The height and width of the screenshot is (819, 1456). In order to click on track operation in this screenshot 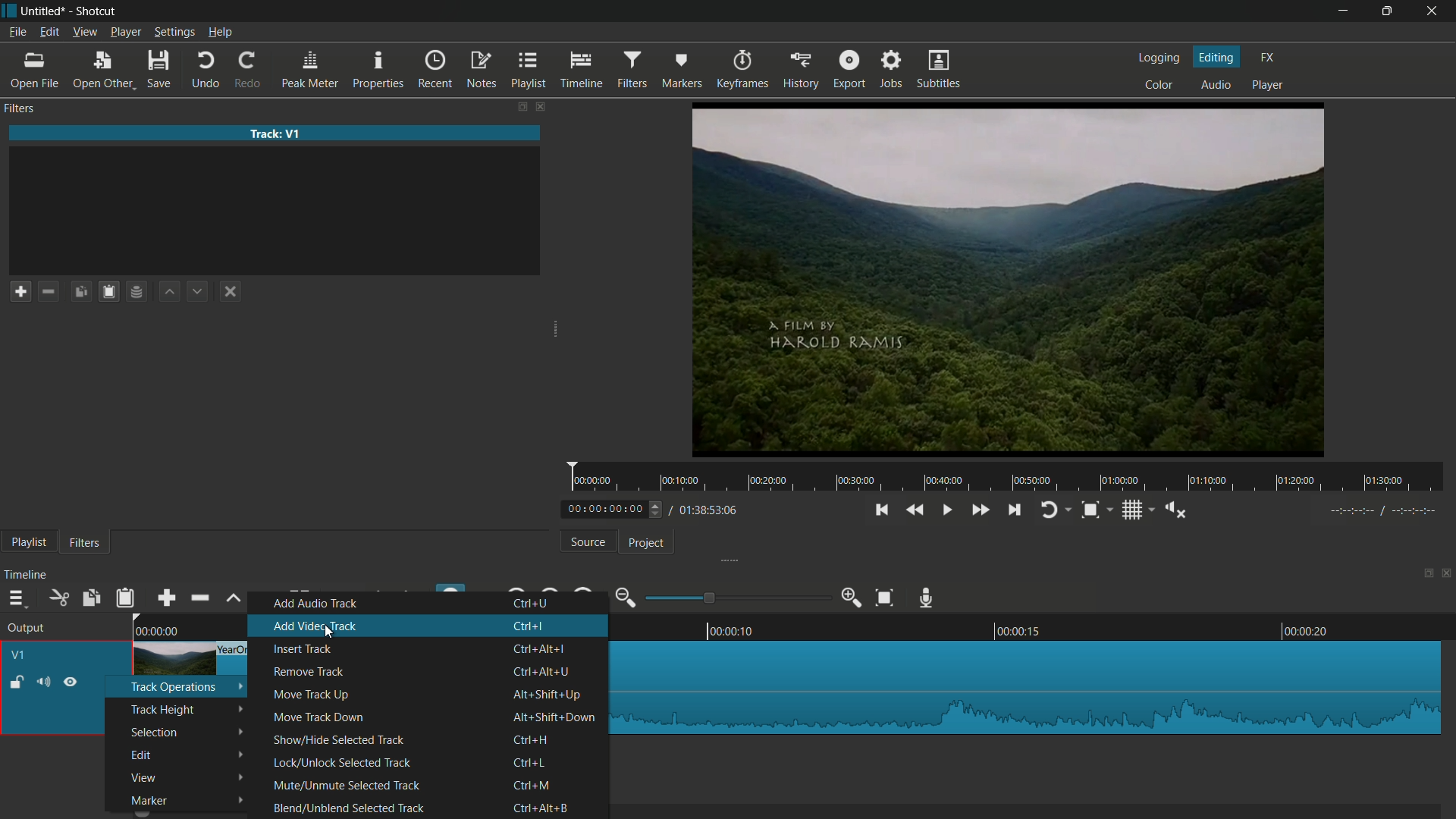, I will do `click(178, 688)`.